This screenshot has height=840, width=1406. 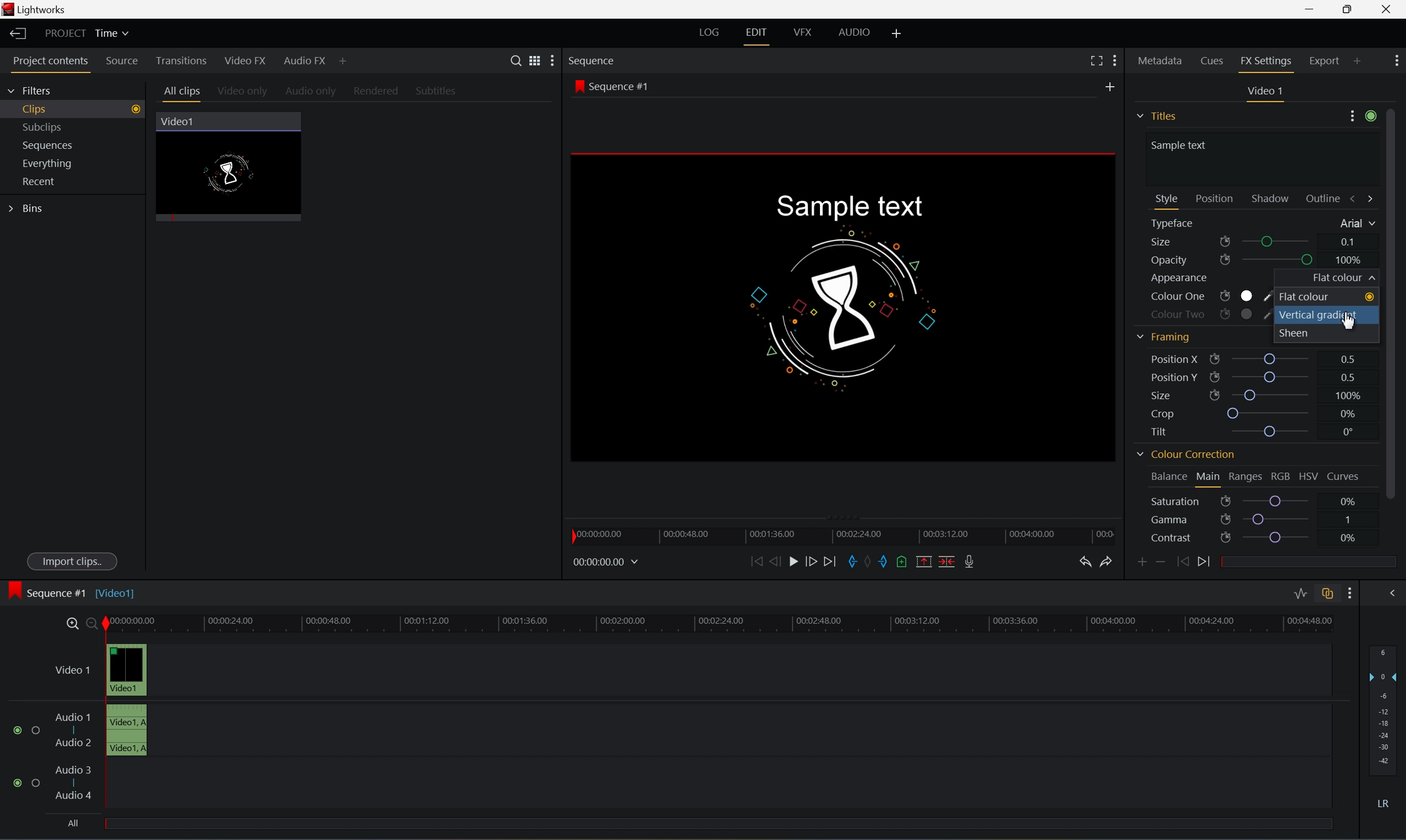 I want to click on Sequnce#1, so click(x=612, y=87).